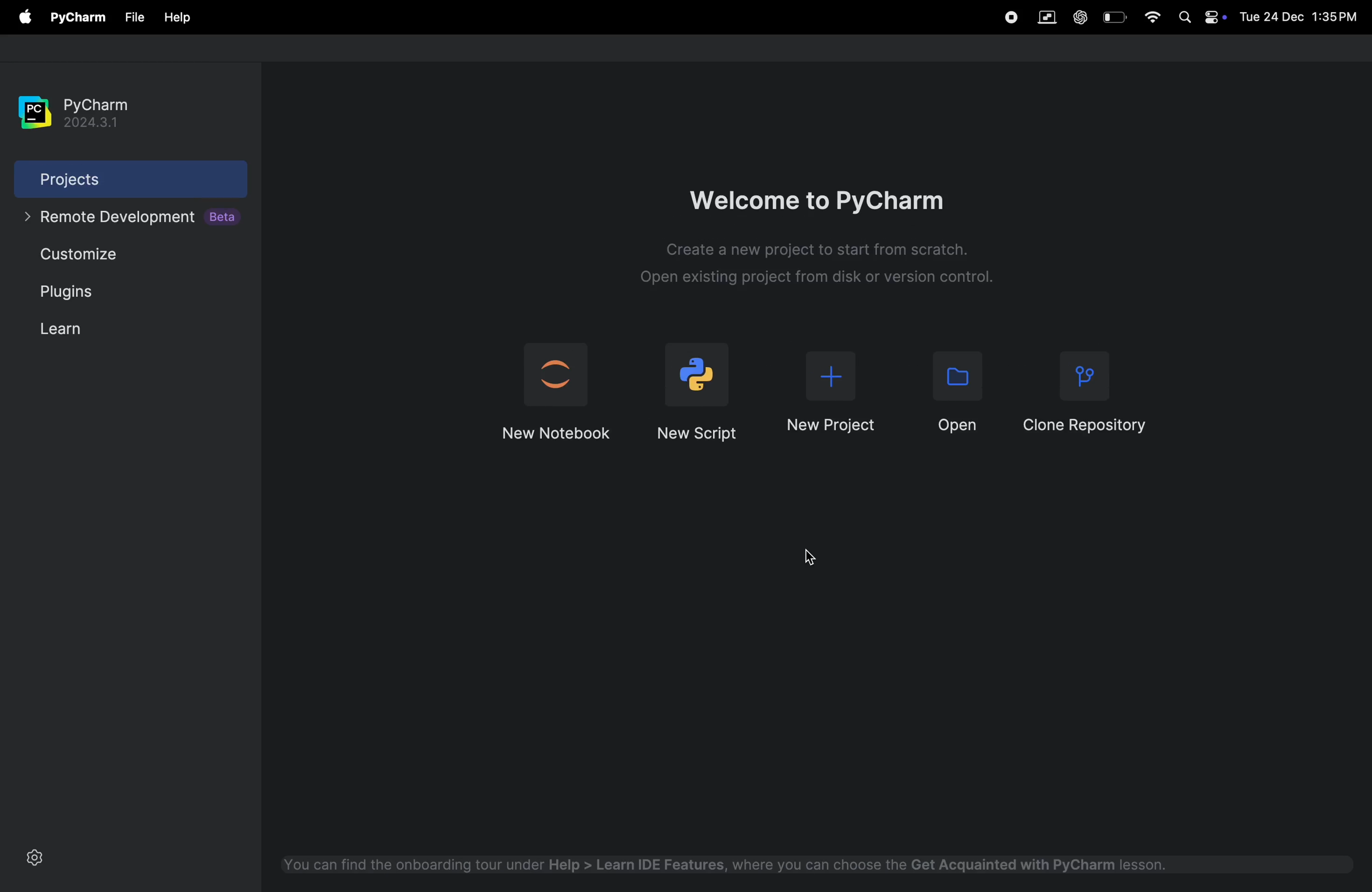  I want to click on projects, so click(114, 181).